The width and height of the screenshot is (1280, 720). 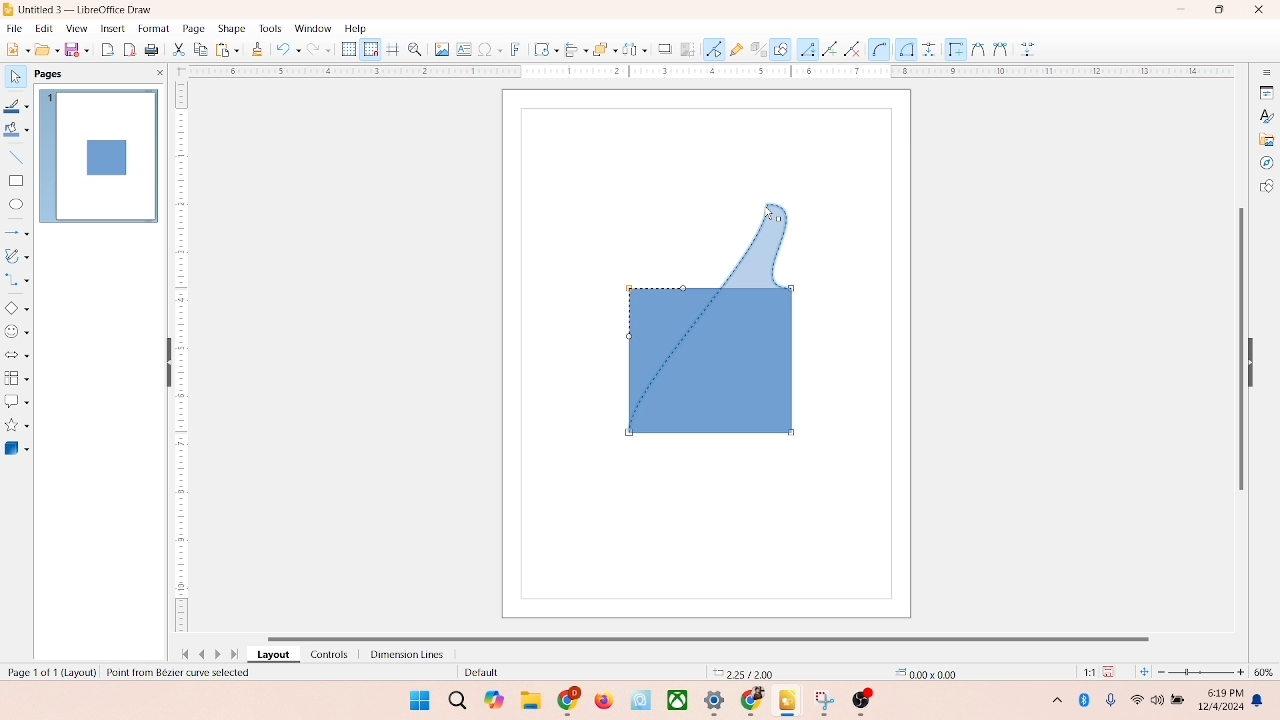 I want to click on print, so click(x=154, y=51).